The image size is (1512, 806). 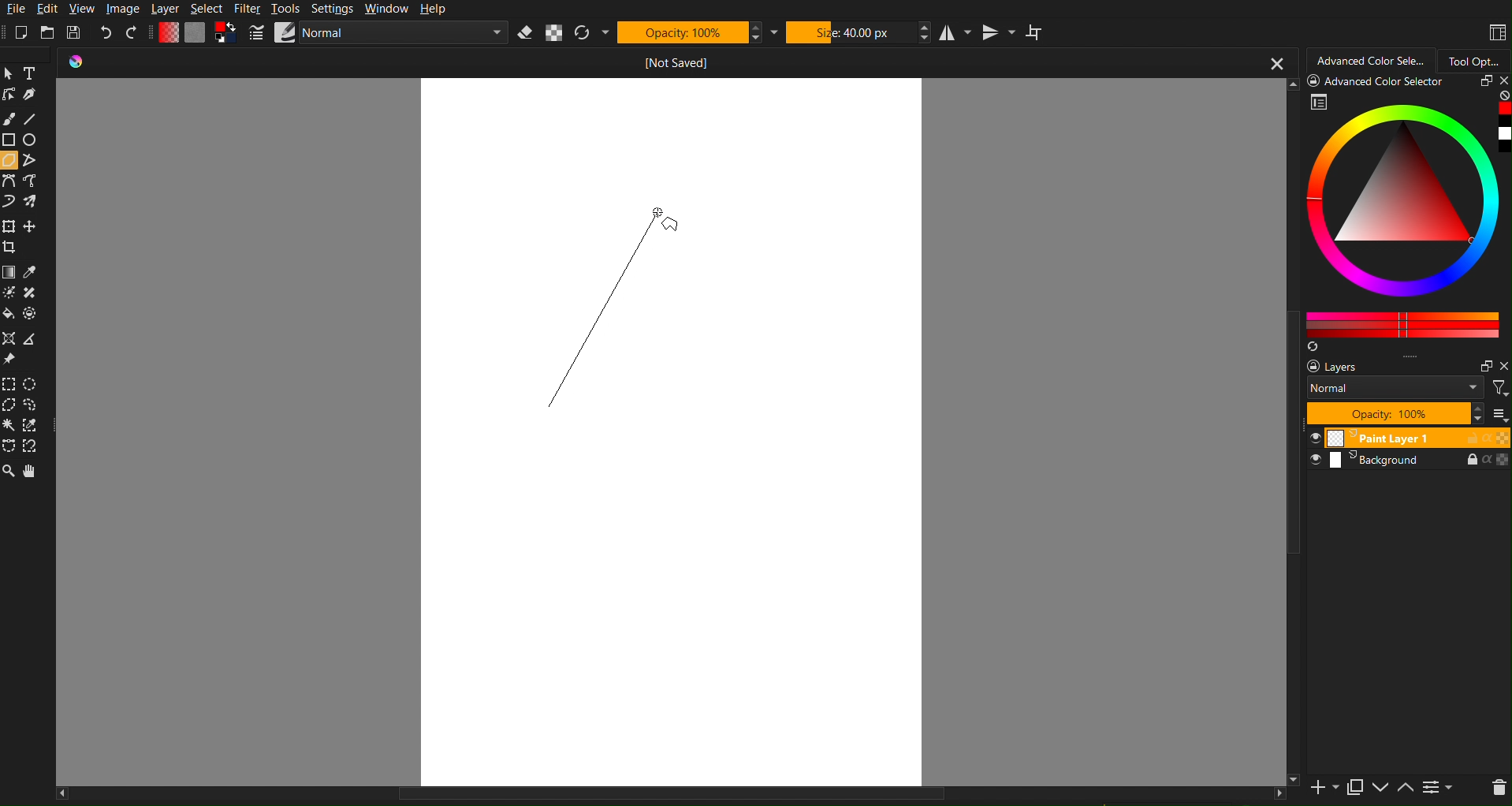 What do you see at coordinates (1496, 32) in the screenshot?
I see `Workspaces` at bounding box center [1496, 32].